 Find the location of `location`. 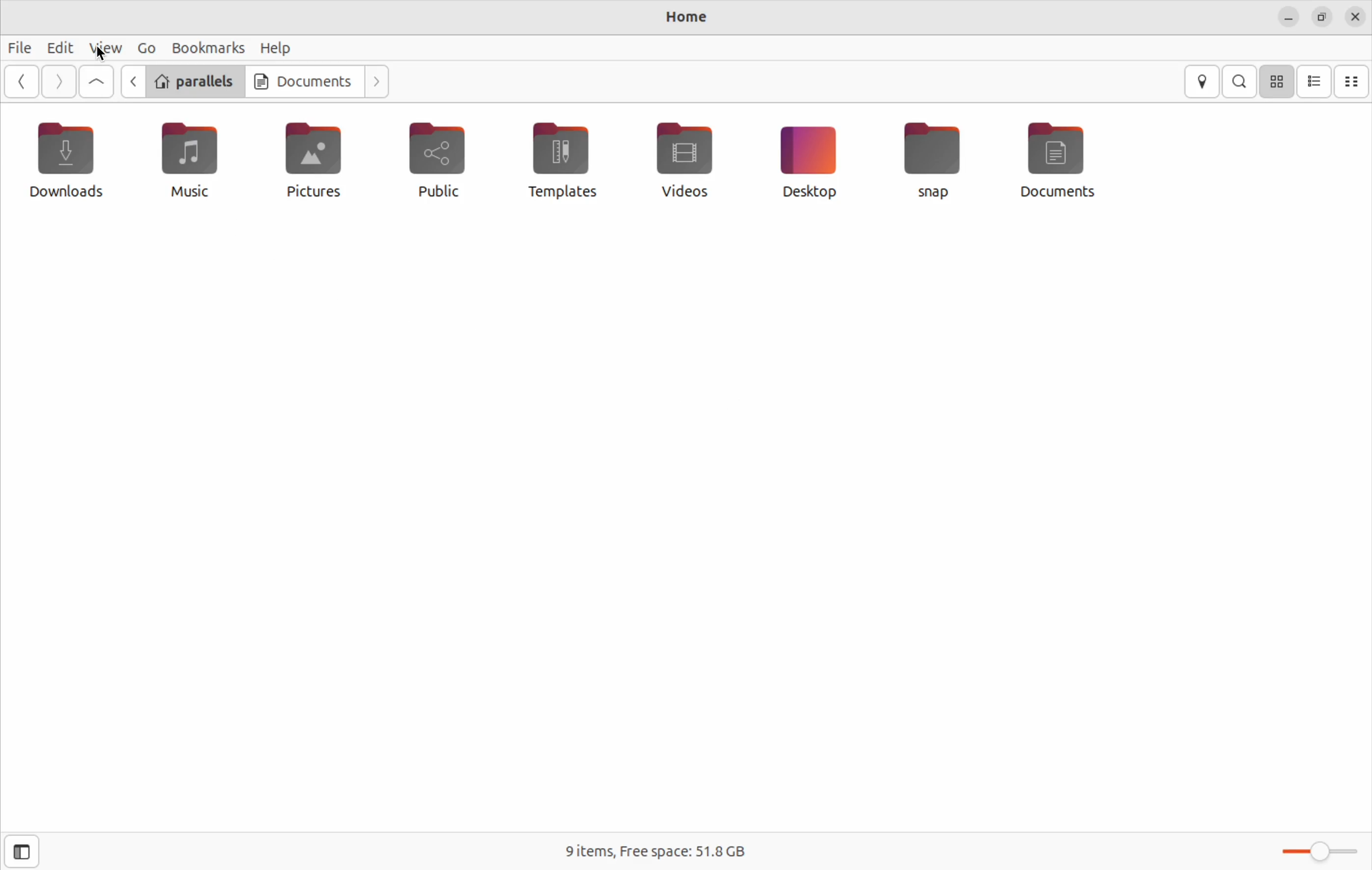

location is located at coordinates (1203, 82).